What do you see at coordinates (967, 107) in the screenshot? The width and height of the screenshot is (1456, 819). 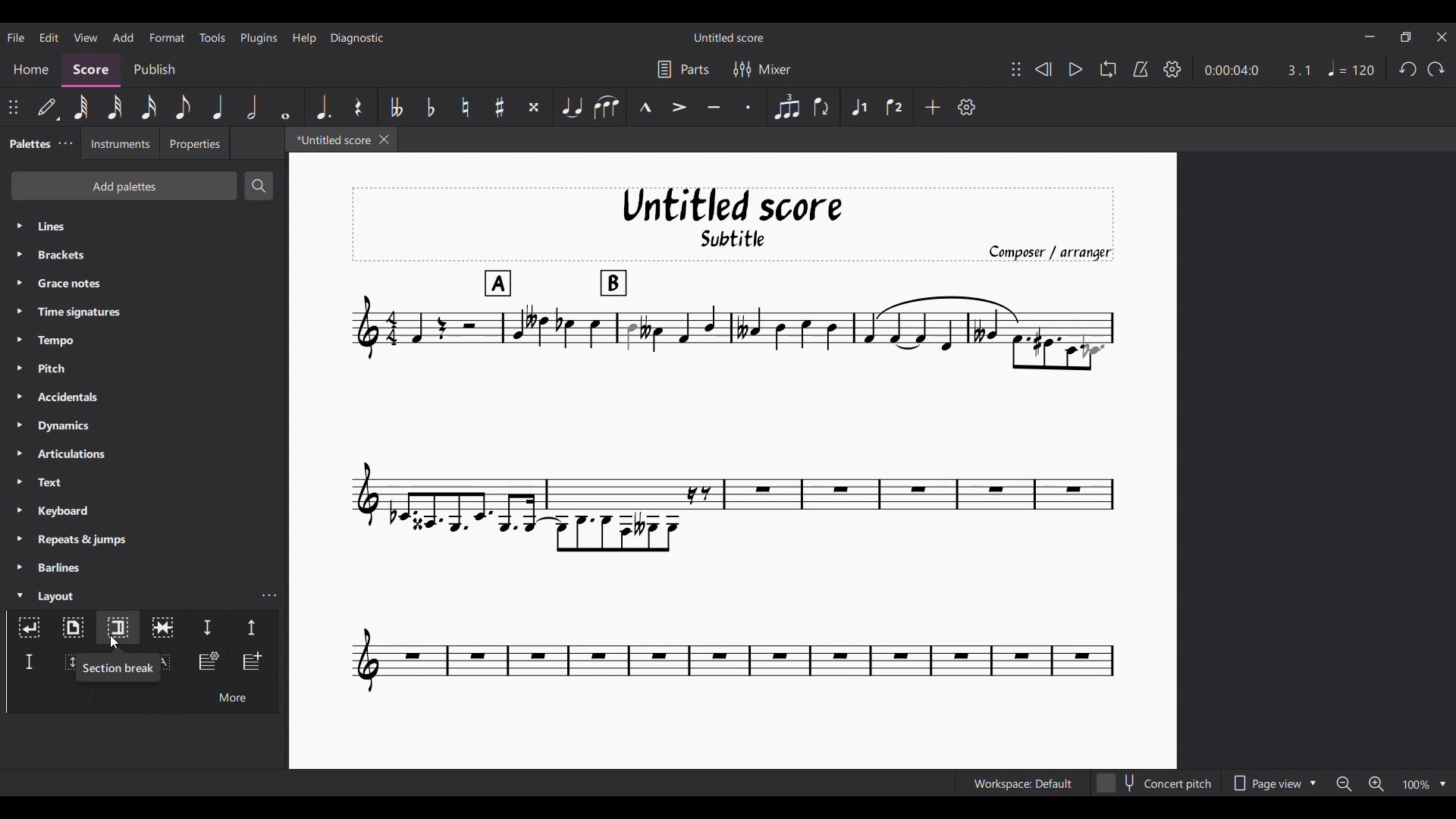 I see `Customize settings` at bounding box center [967, 107].